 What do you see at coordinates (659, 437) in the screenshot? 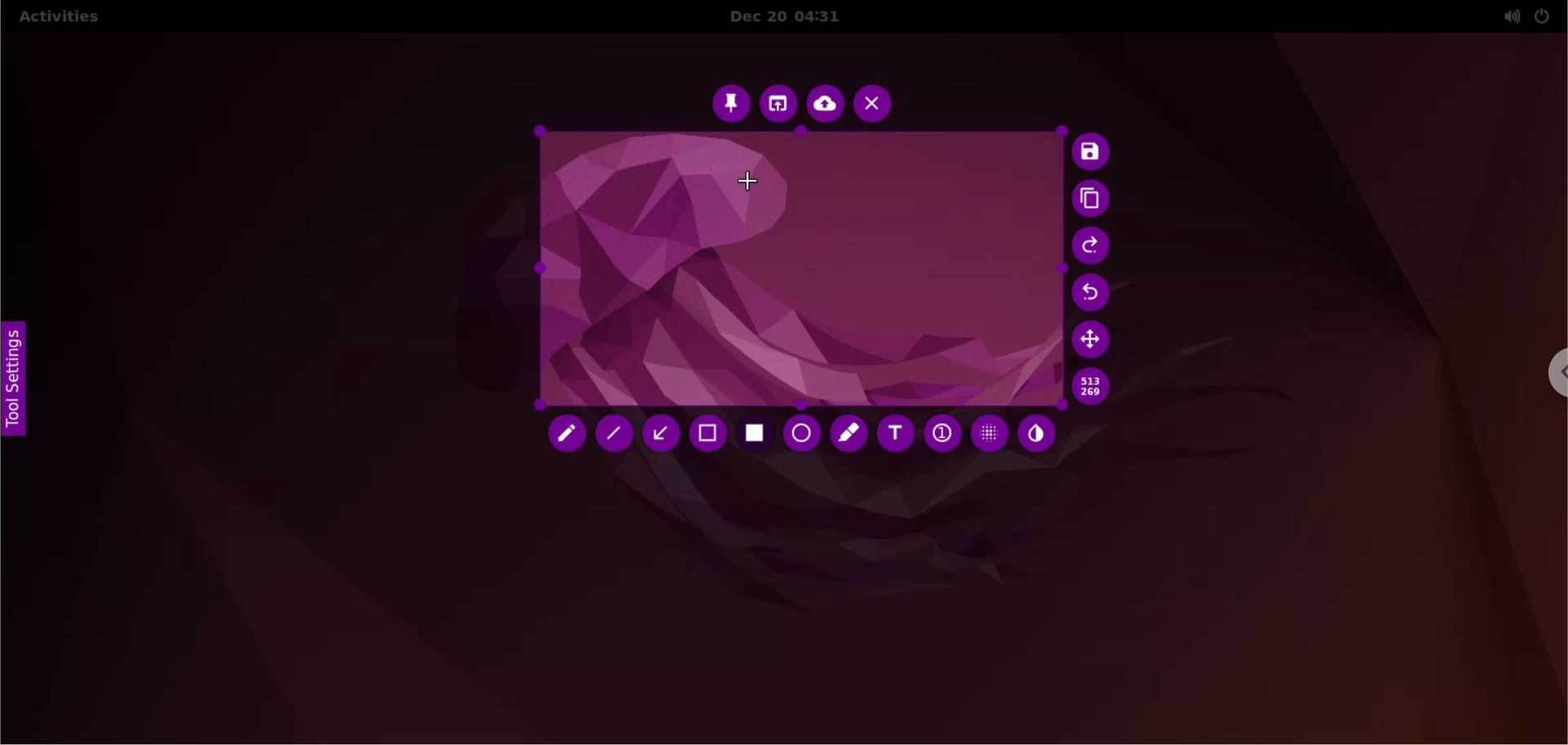
I see `arrow tool` at bounding box center [659, 437].